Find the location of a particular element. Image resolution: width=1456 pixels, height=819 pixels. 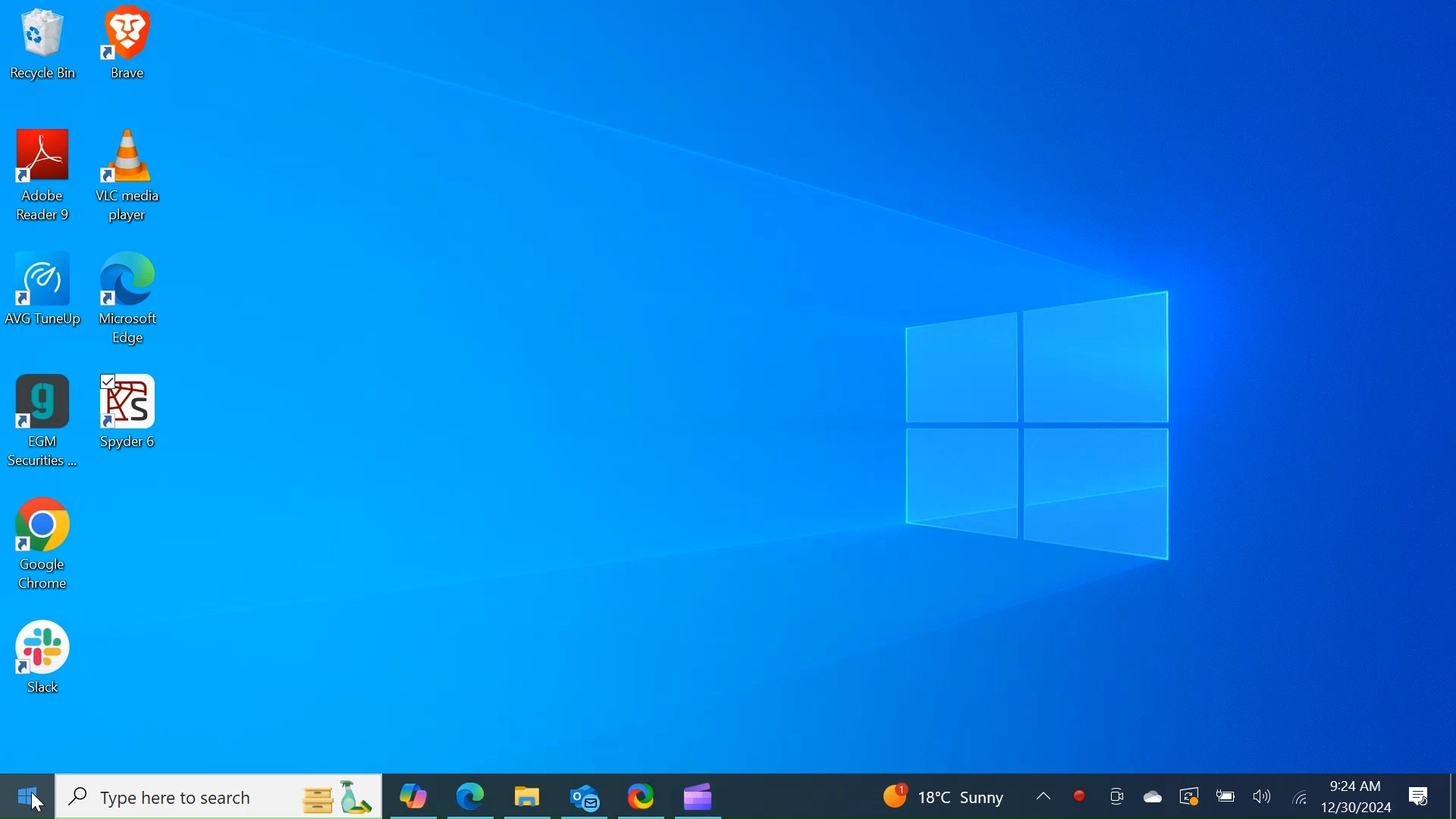

Charge is located at coordinates (1225, 795).